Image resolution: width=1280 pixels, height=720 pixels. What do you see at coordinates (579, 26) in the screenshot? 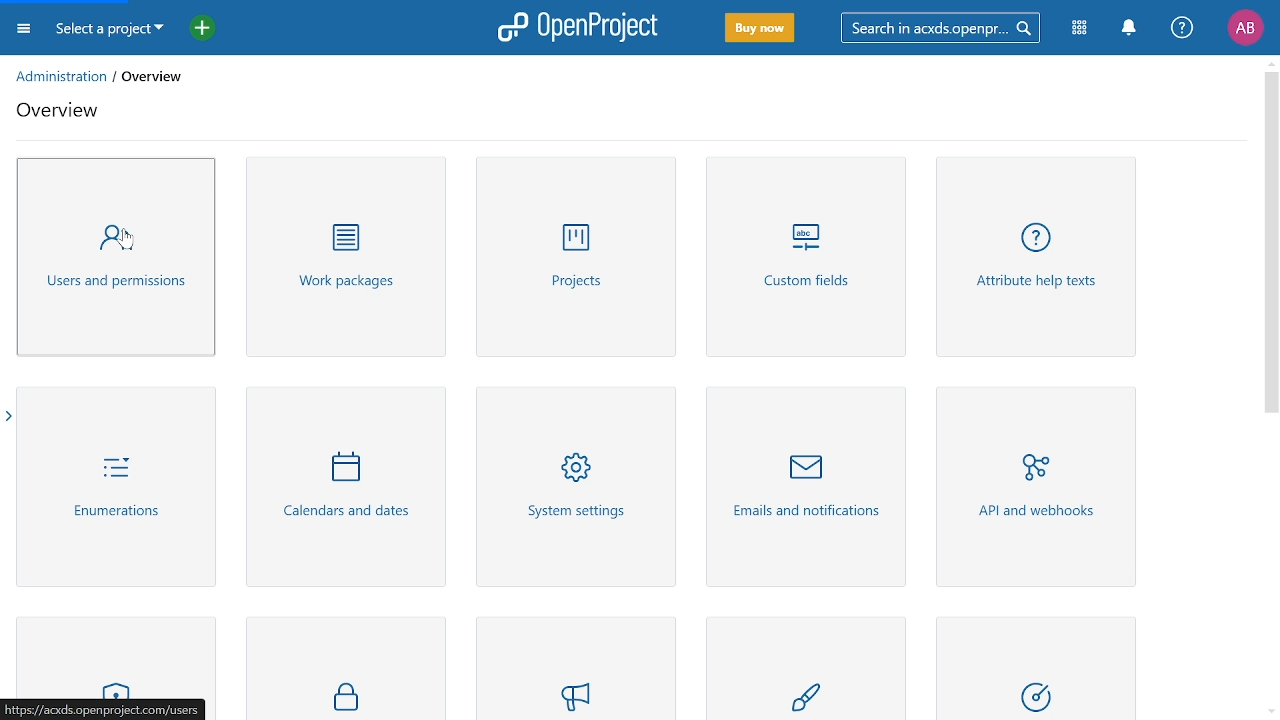
I see `OpenProject logo` at bounding box center [579, 26].